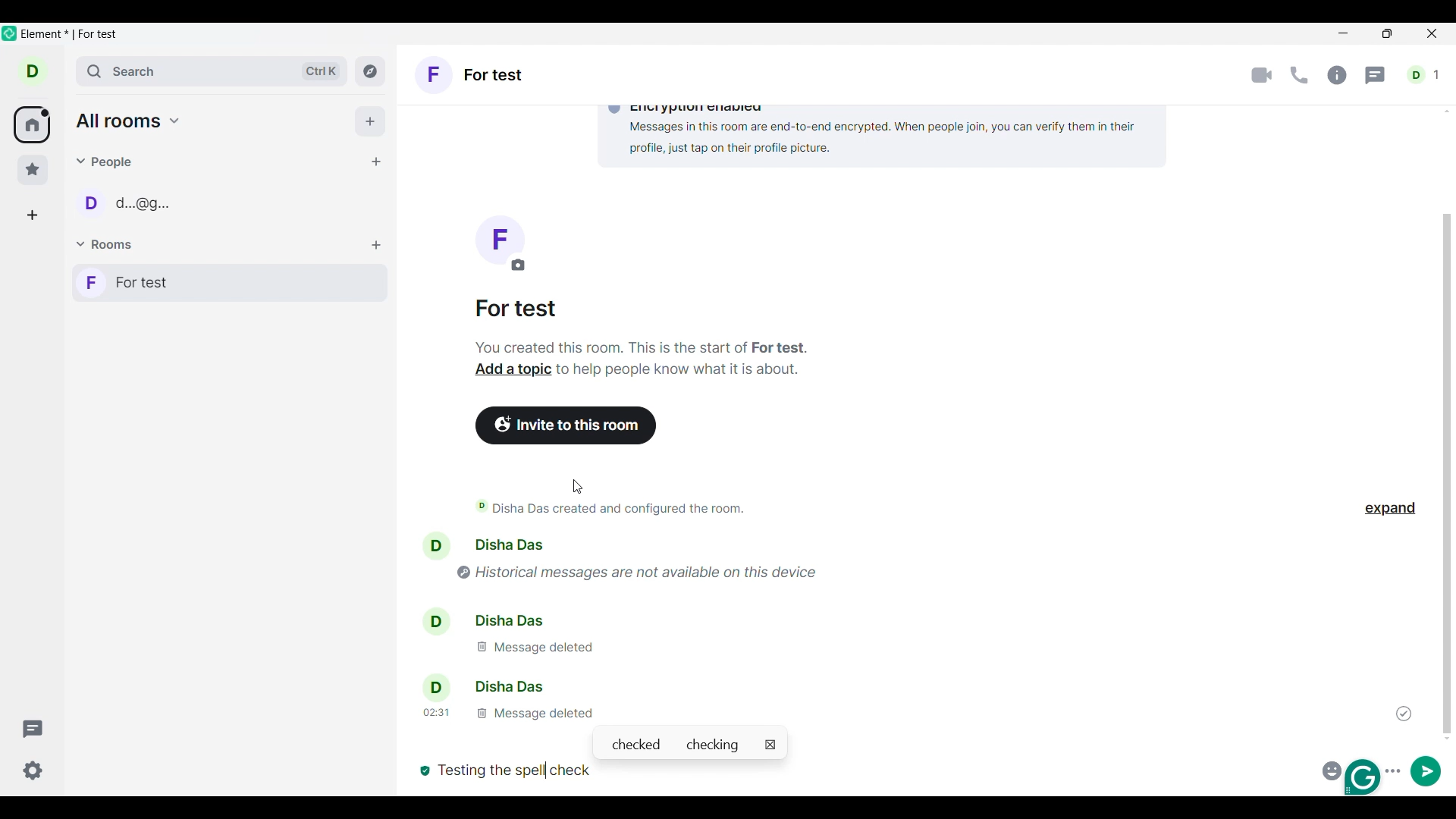 The width and height of the screenshot is (1456, 819). I want to click on Add room, so click(376, 246).